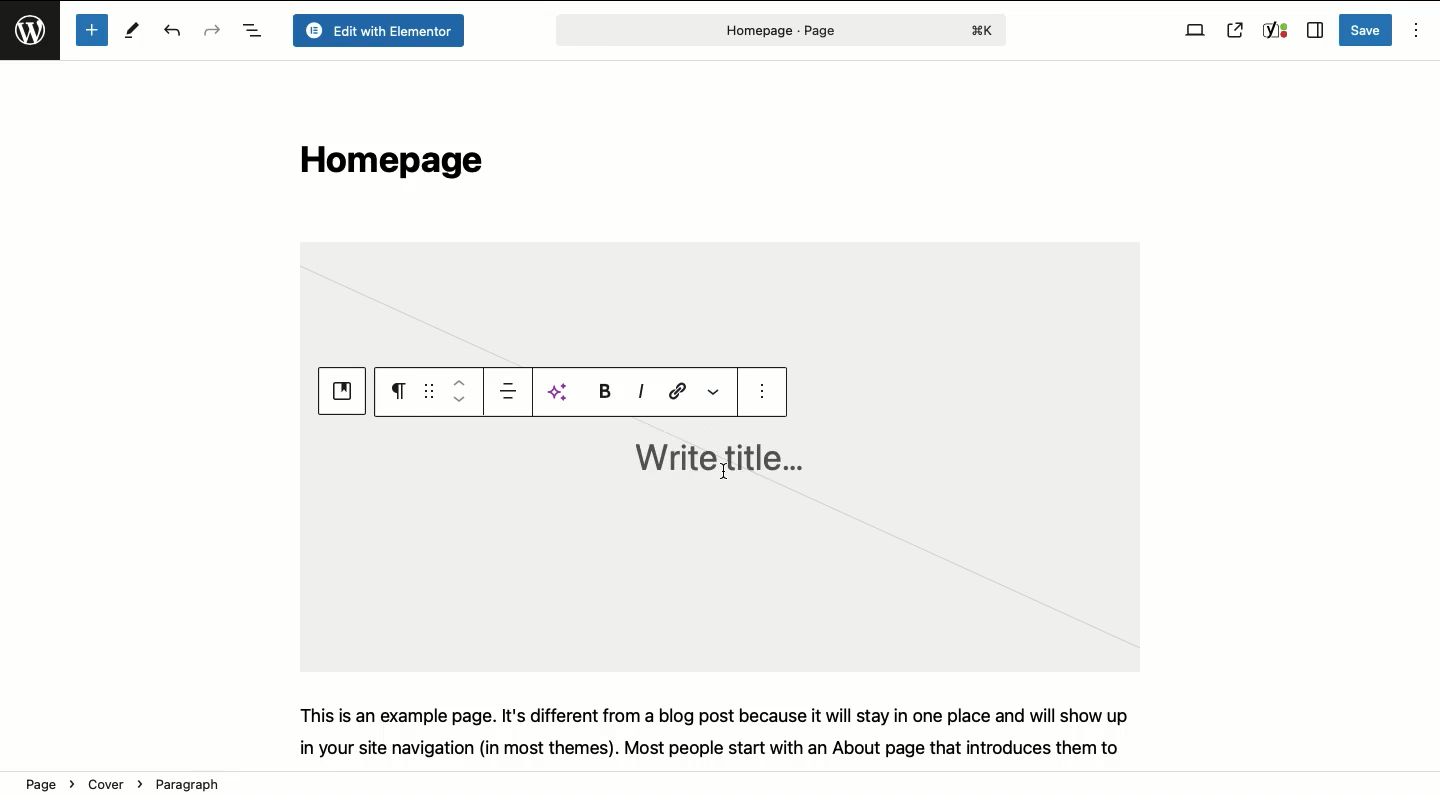 The image size is (1440, 794). What do you see at coordinates (1195, 31) in the screenshot?
I see `View` at bounding box center [1195, 31].